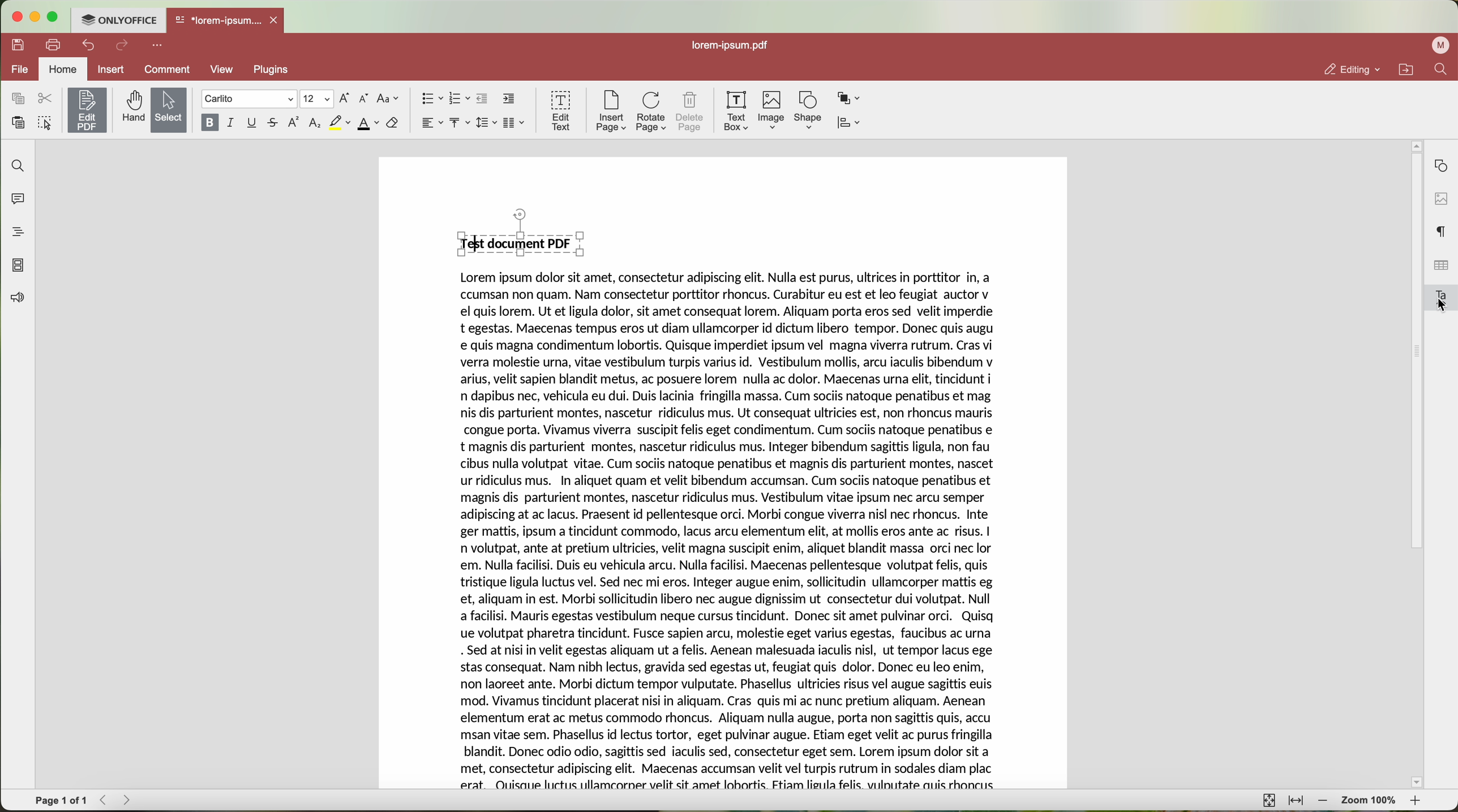 The width and height of the screenshot is (1458, 812). What do you see at coordinates (1443, 70) in the screenshot?
I see `find` at bounding box center [1443, 70].